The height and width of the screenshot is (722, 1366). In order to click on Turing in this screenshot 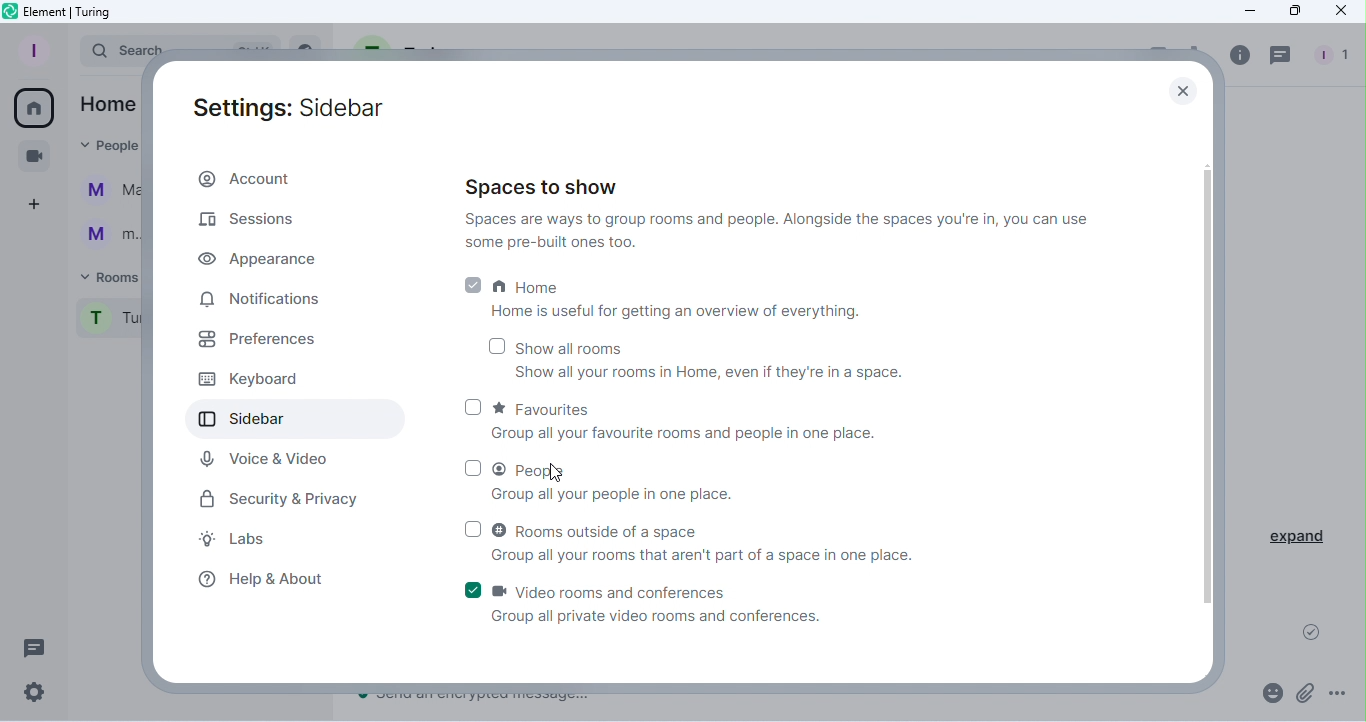, I will do `click(110, 321)`.